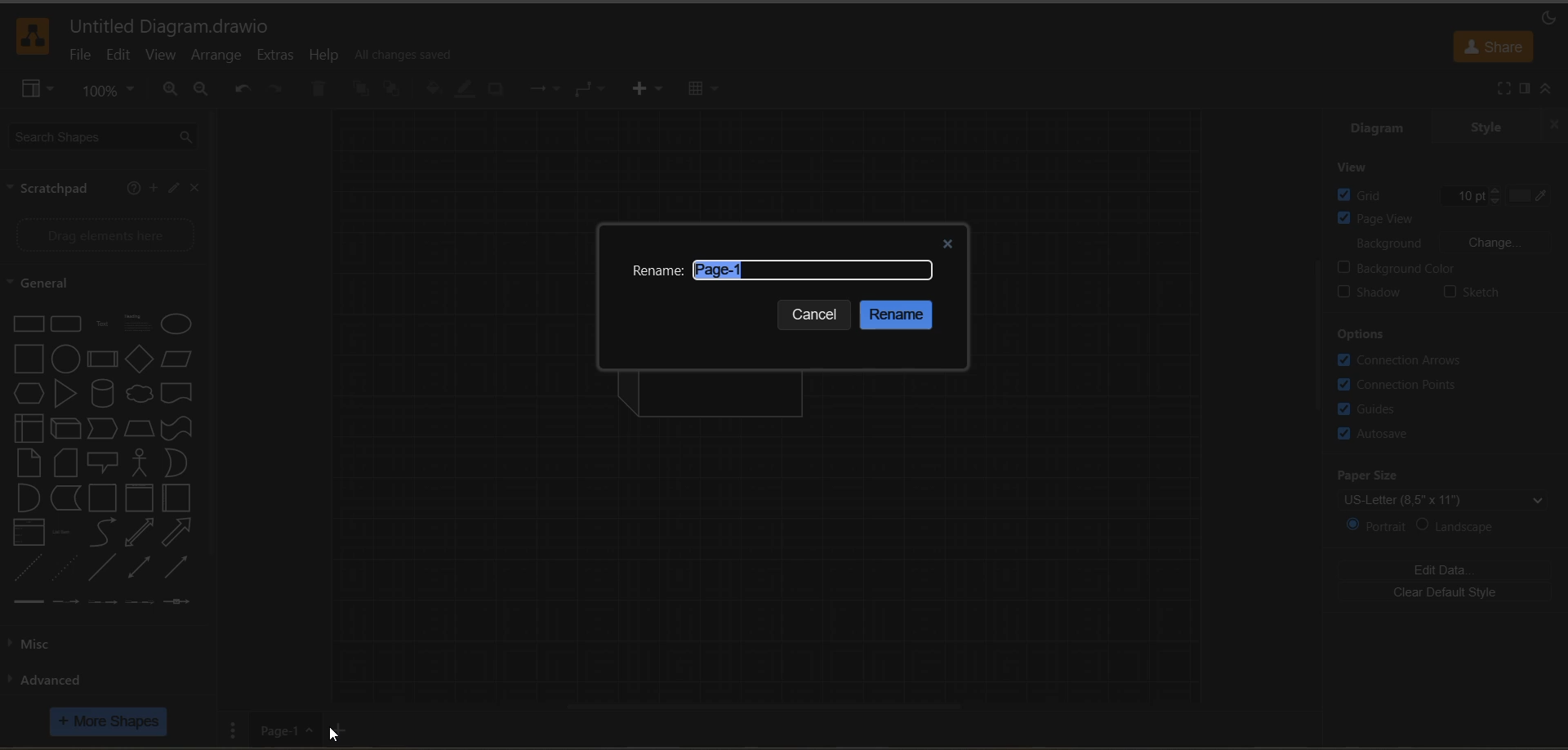 Image resolution: width=1568 pixels, height=750 pixels. What do you see at coordinates (1363, 334) in the screenshot?
I see `options` at bounding box center [1363, 334].